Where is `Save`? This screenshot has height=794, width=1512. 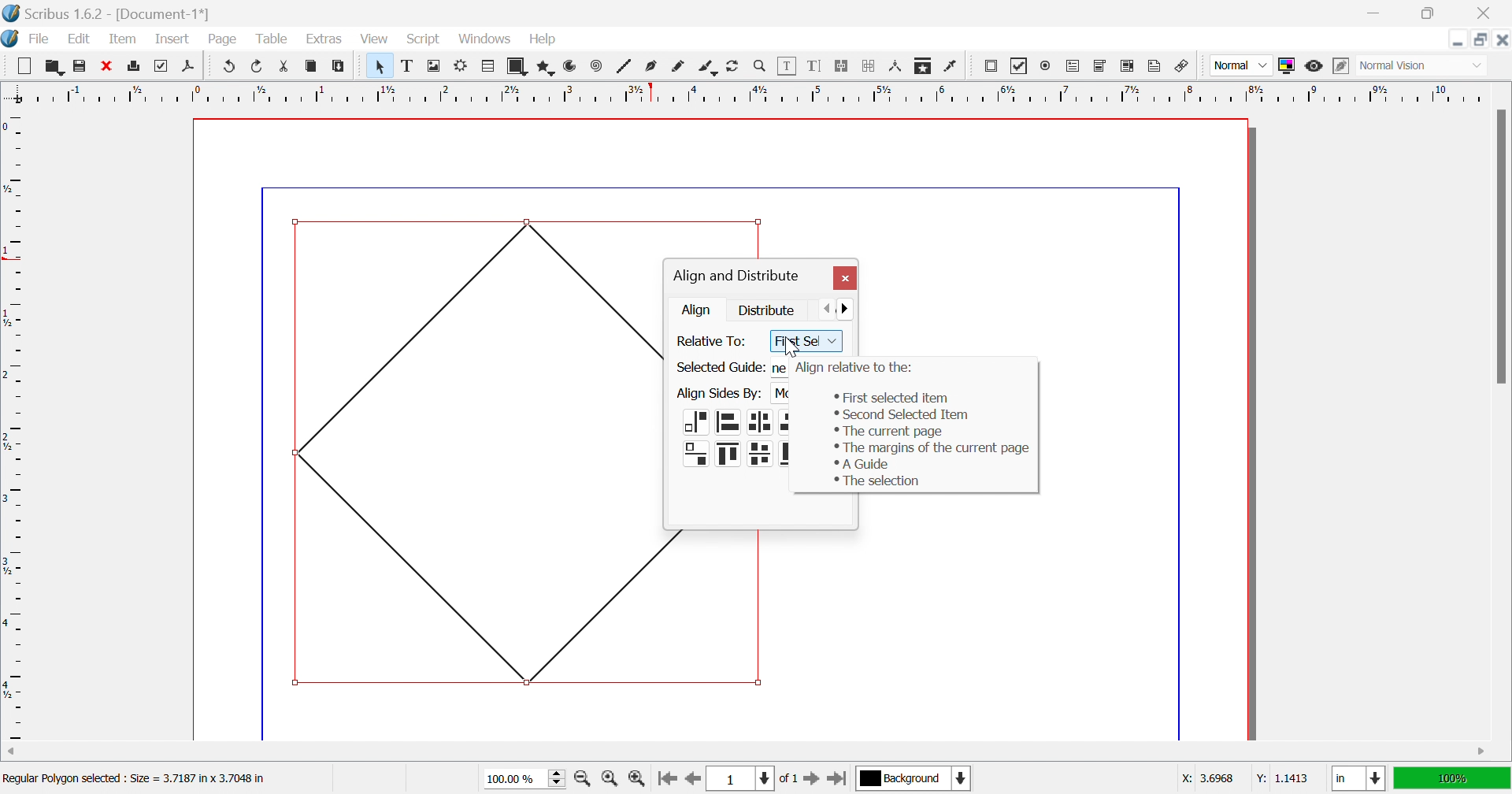
Save is located at coordinates (76, 64).